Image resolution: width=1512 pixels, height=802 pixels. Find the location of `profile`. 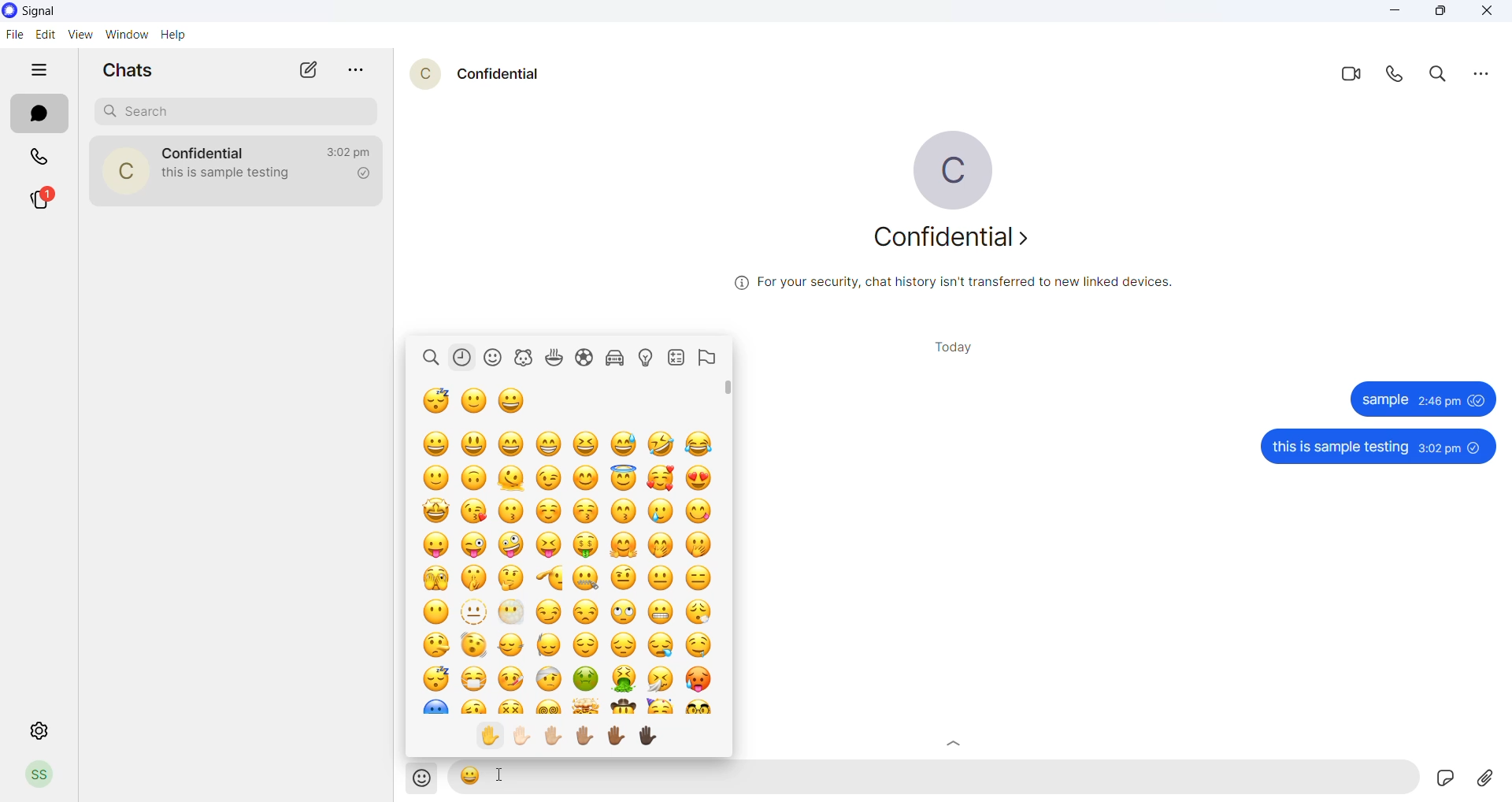

profile is located at coordinates (42, 775).